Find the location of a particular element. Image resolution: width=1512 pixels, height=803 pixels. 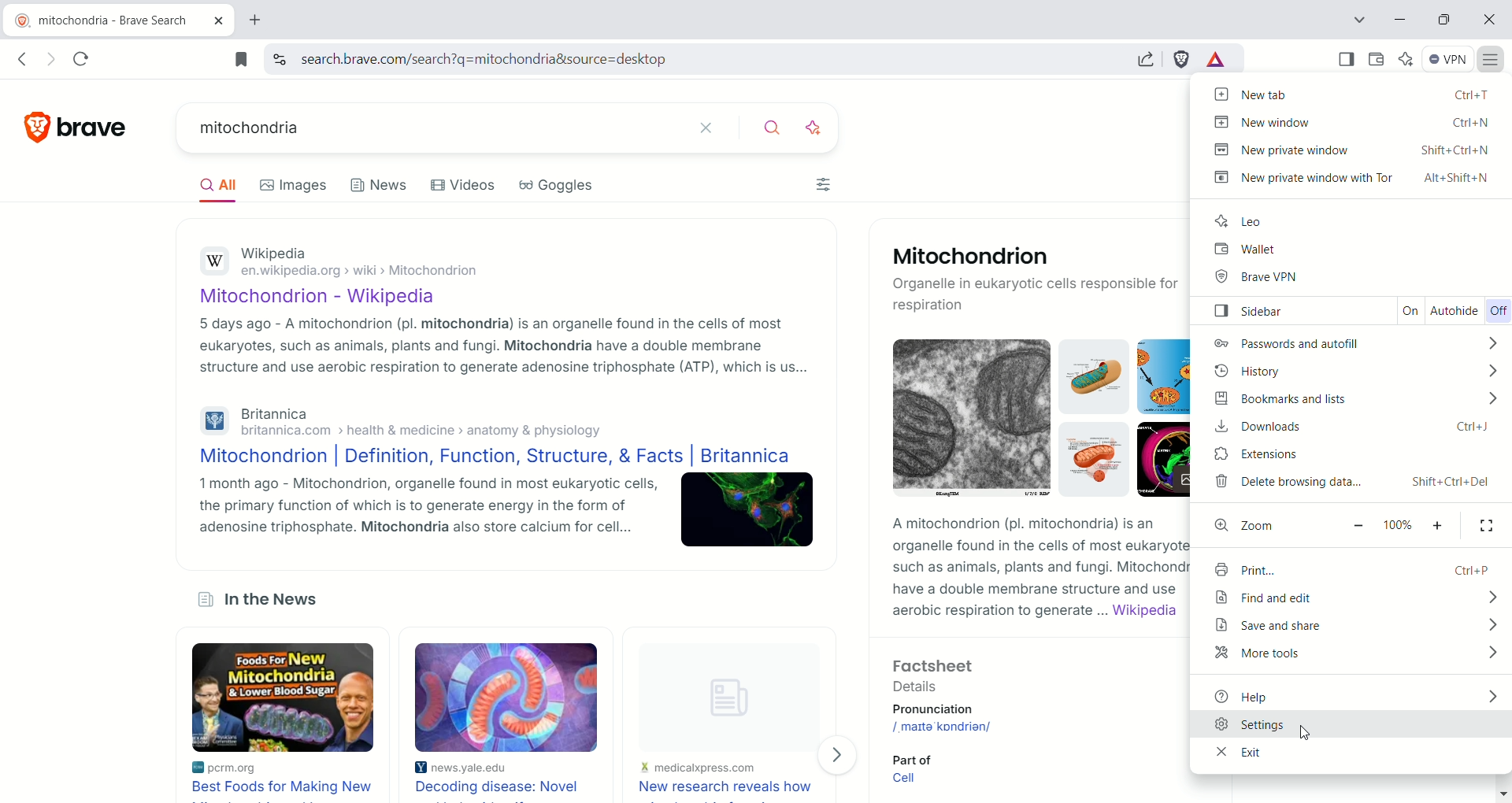

find and edit is located at coordinates (1357, 599).